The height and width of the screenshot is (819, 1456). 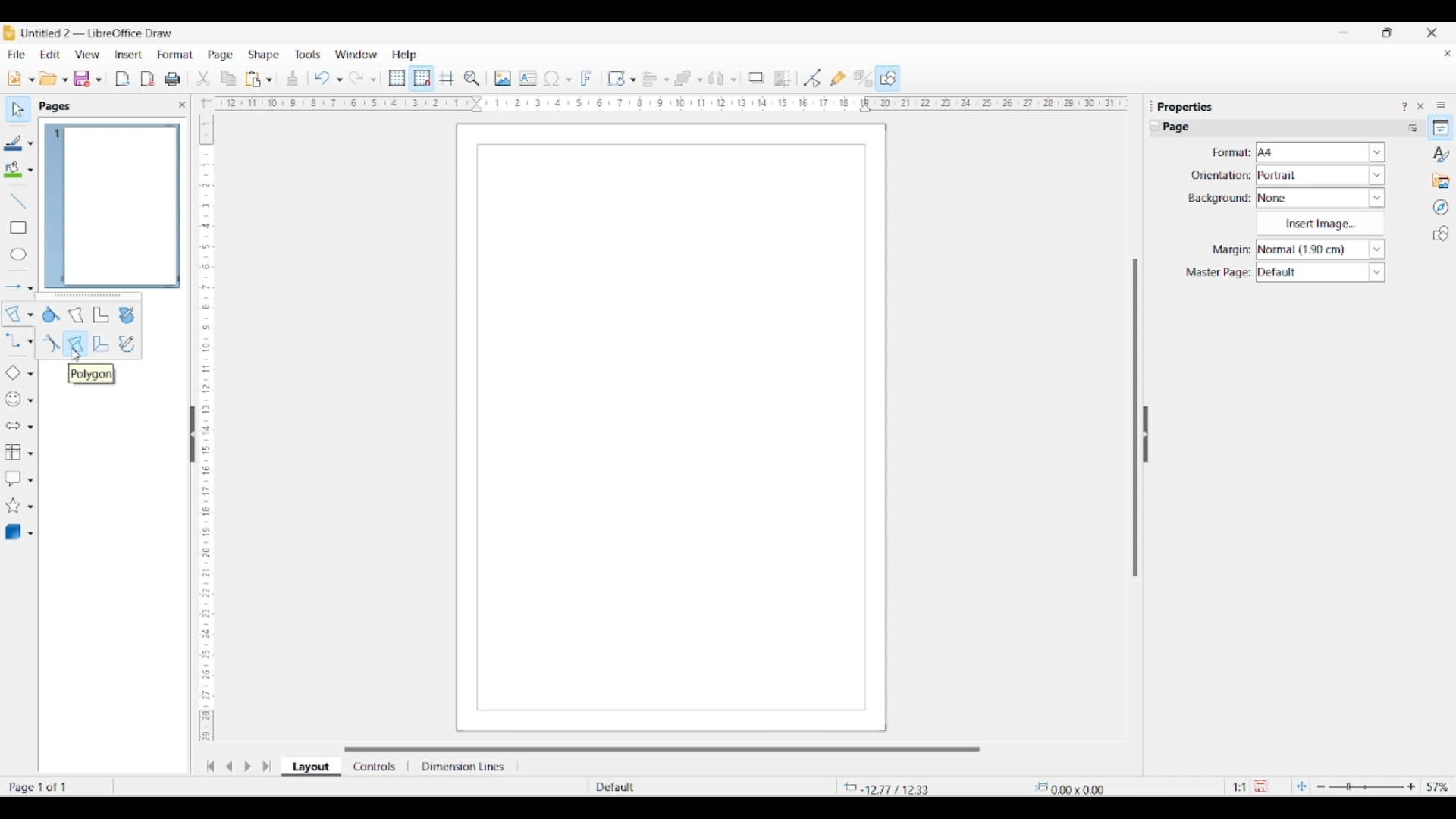 I want to click on Zoom factor, so click(x=1439, y=787).